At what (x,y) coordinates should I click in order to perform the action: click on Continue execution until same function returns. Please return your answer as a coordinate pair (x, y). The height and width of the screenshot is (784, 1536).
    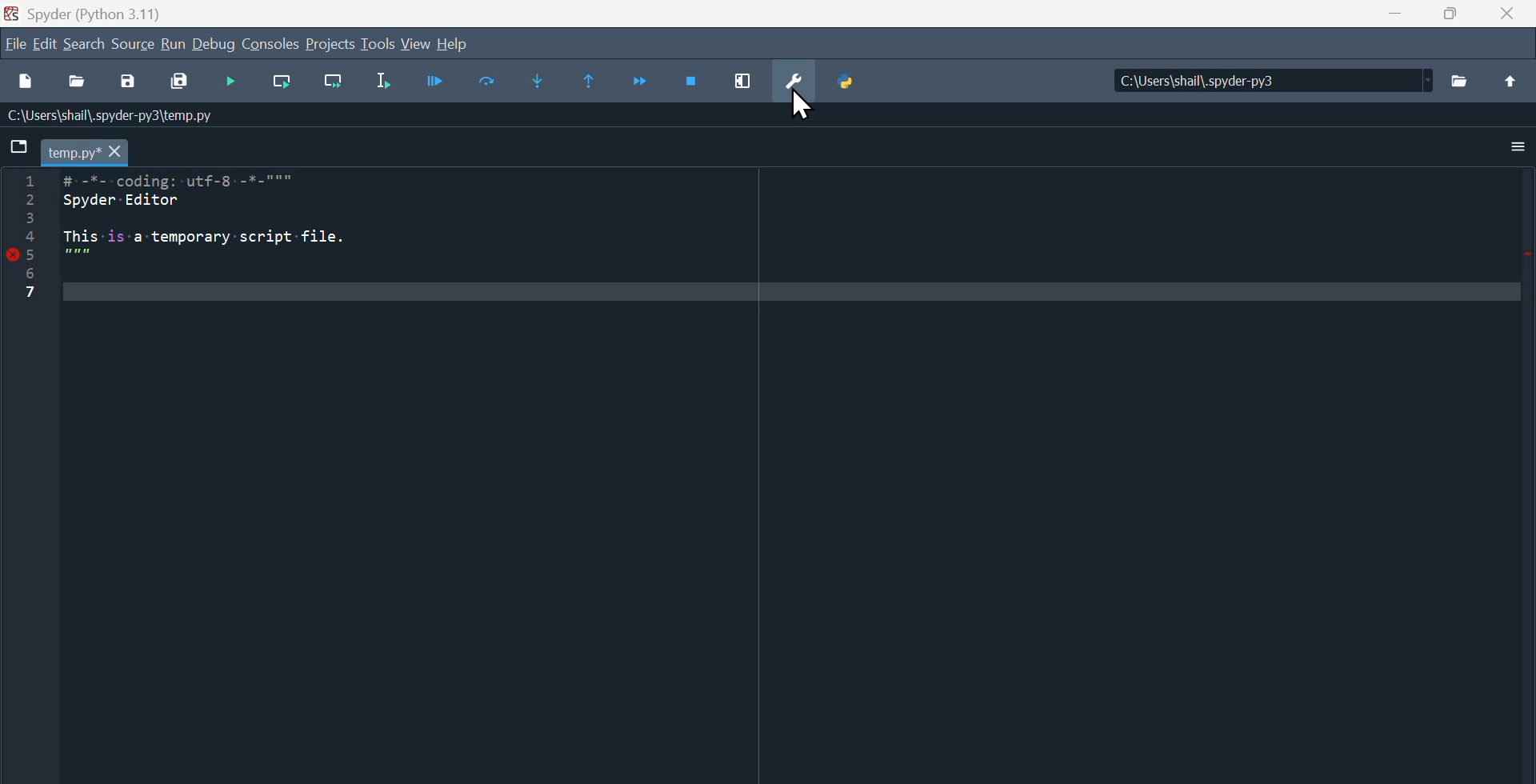
    Looking at the image, I should click on (597, 80).